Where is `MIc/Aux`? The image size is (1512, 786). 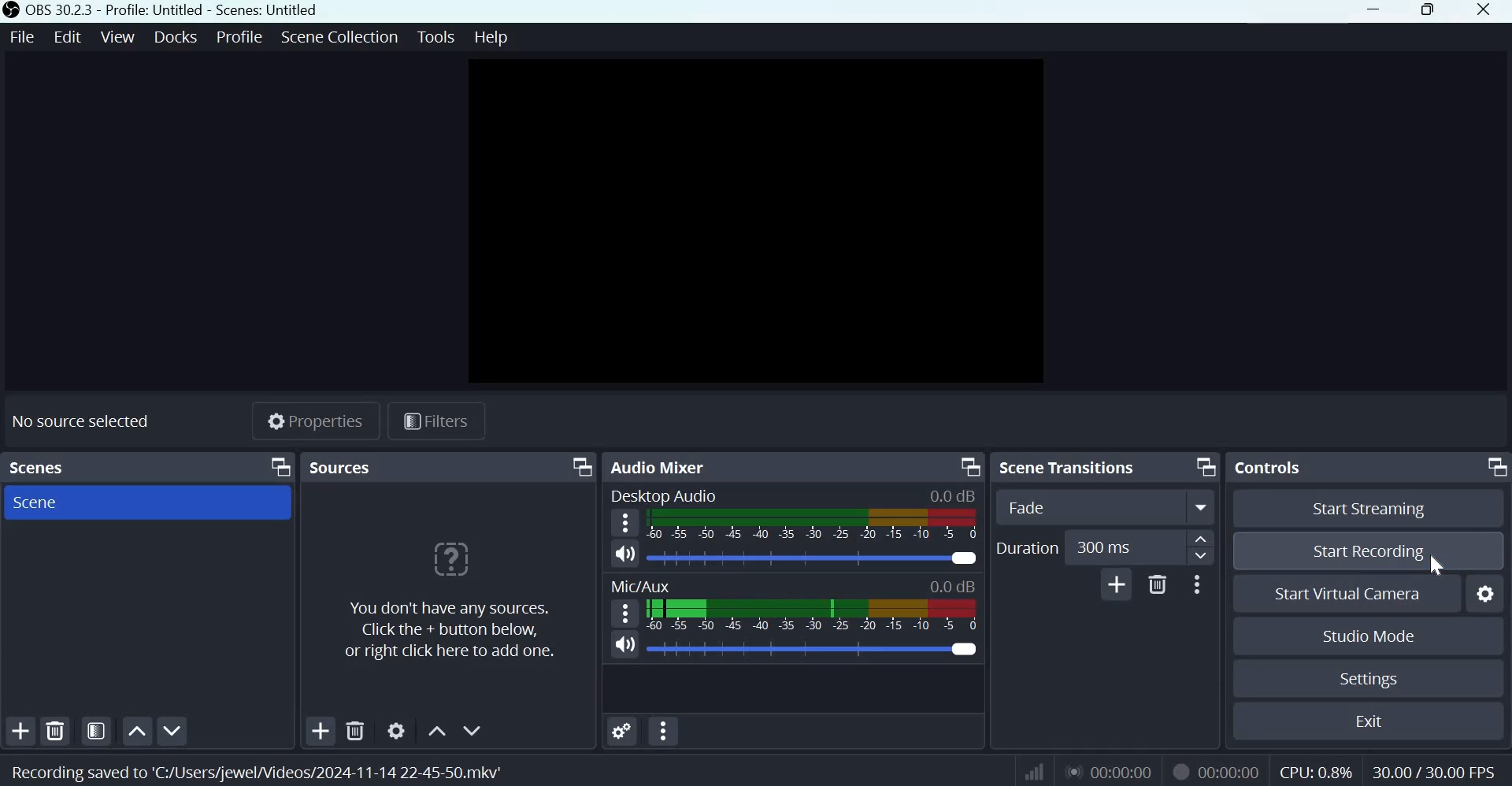
MIc/Aux is located at coordinates (642, 584).